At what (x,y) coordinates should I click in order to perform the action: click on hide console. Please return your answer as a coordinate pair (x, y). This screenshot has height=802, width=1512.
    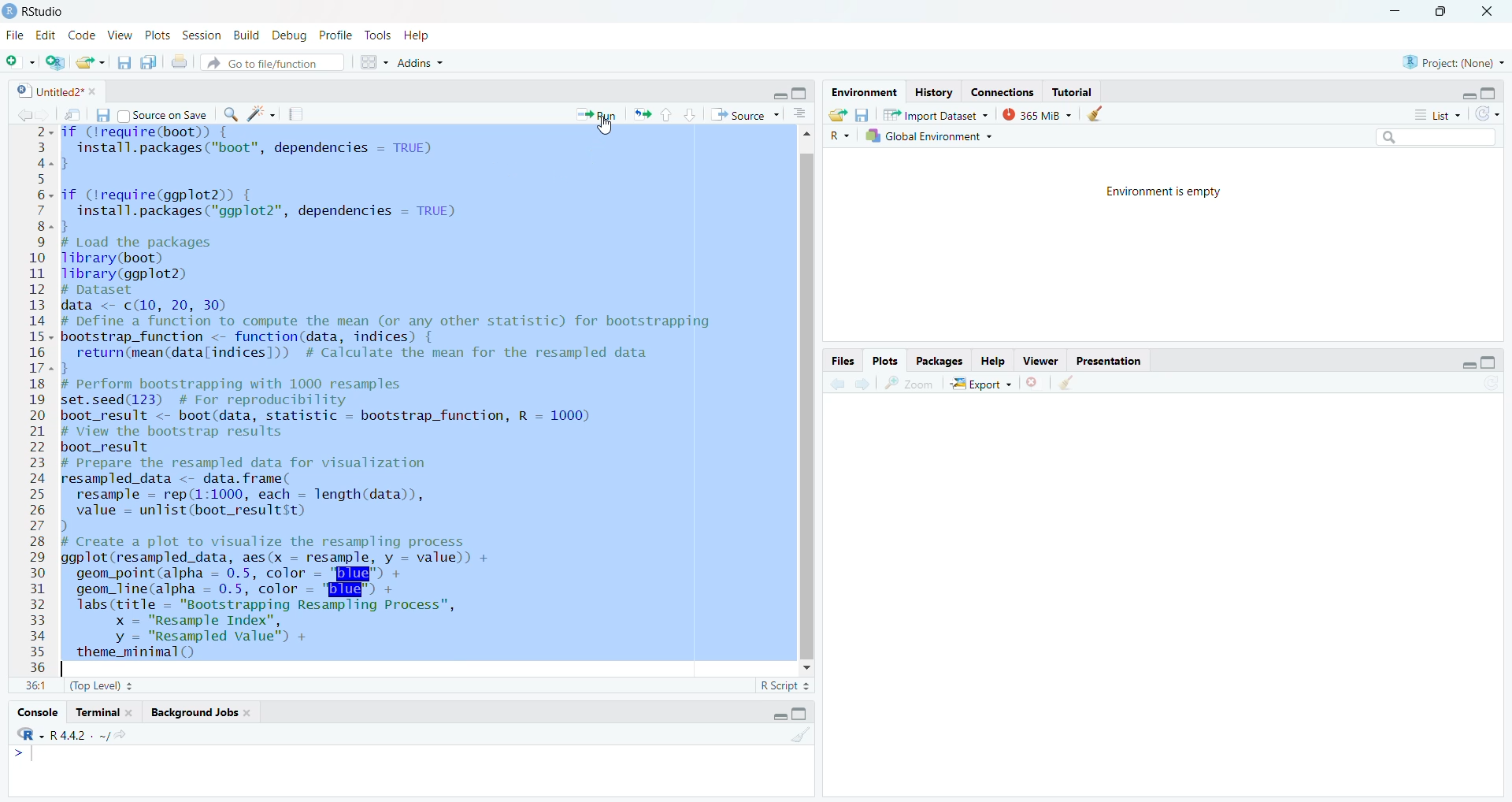
    Looking at the image, I should click on (1489, 361).